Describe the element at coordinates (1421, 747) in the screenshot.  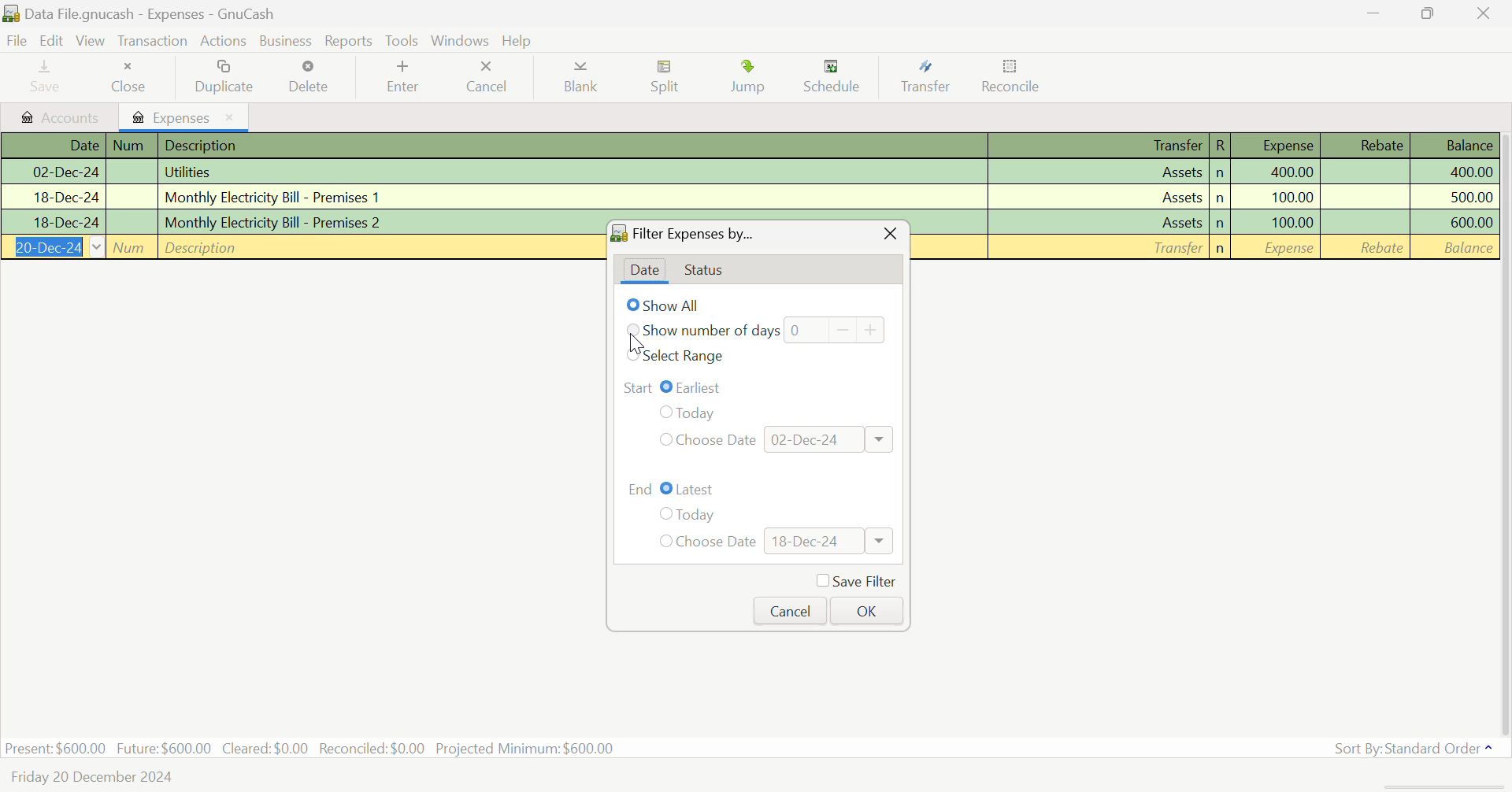
I see `Sort By: Standard Order` at that location.